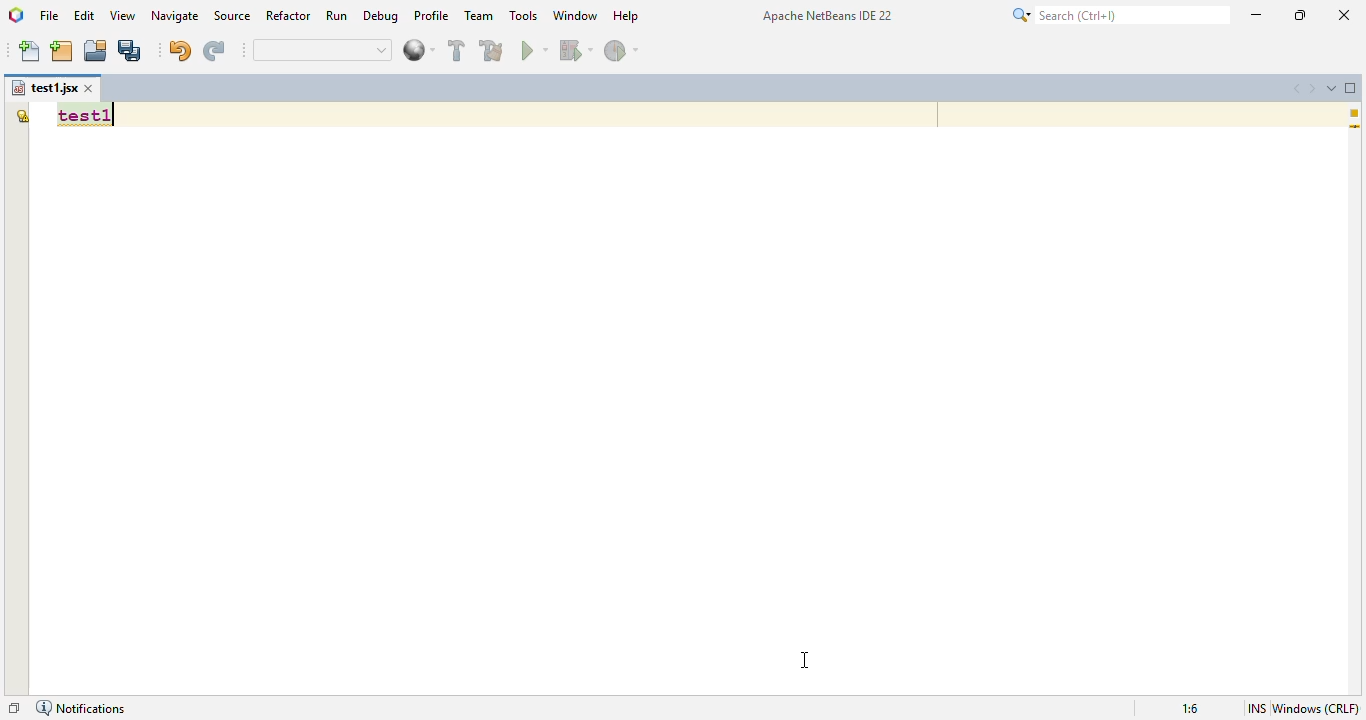  Describe the element at coordinates (31, 51) in the screenshot. I see `new file` at that location.